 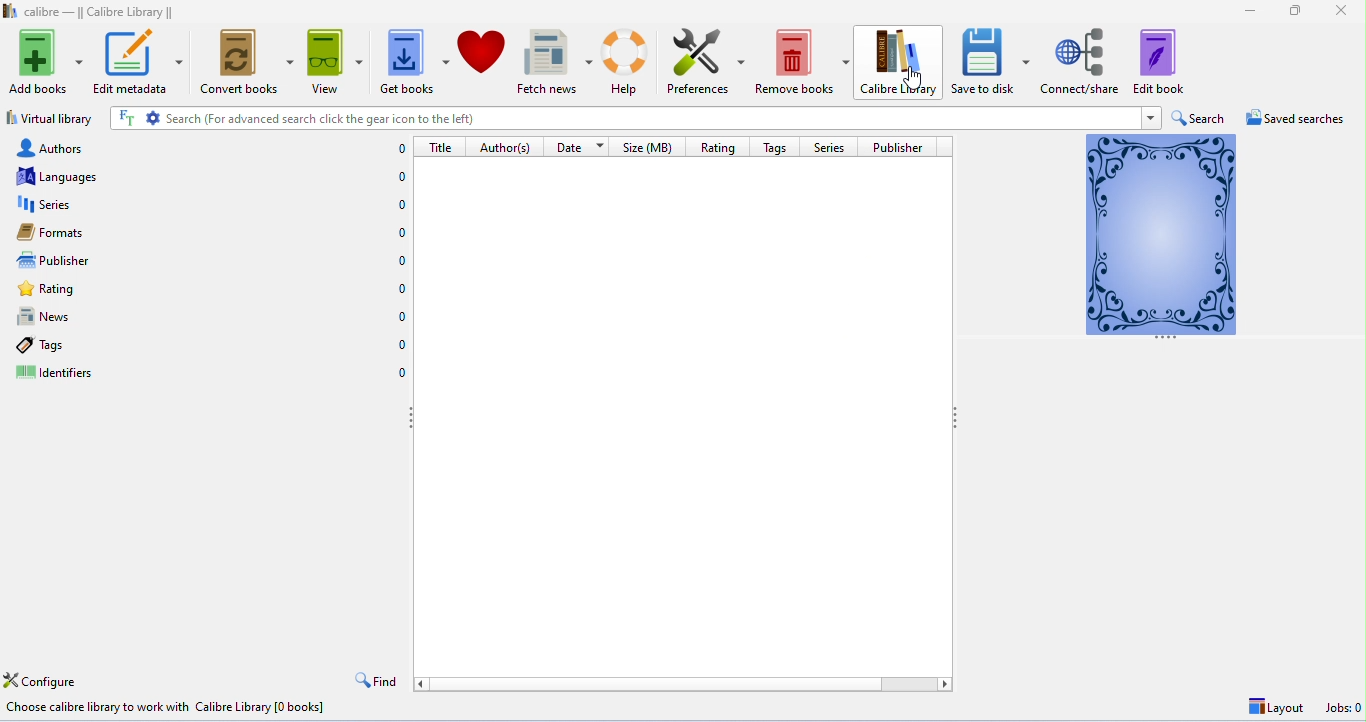 I want to click on saved searches, so click(x=1299, y=119).